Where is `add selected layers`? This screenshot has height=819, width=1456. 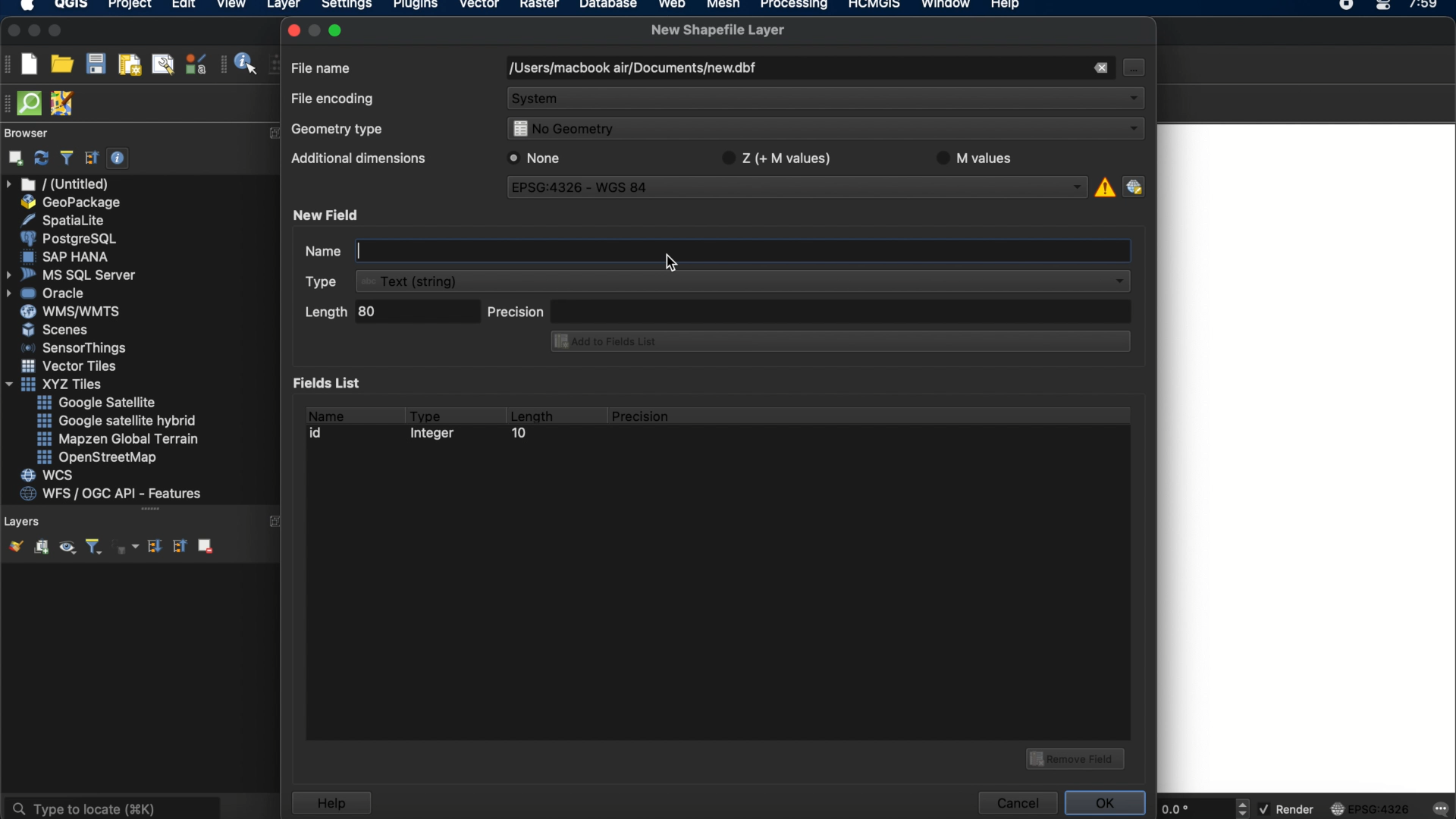 add selected layers is located at coordinates (13, 158).